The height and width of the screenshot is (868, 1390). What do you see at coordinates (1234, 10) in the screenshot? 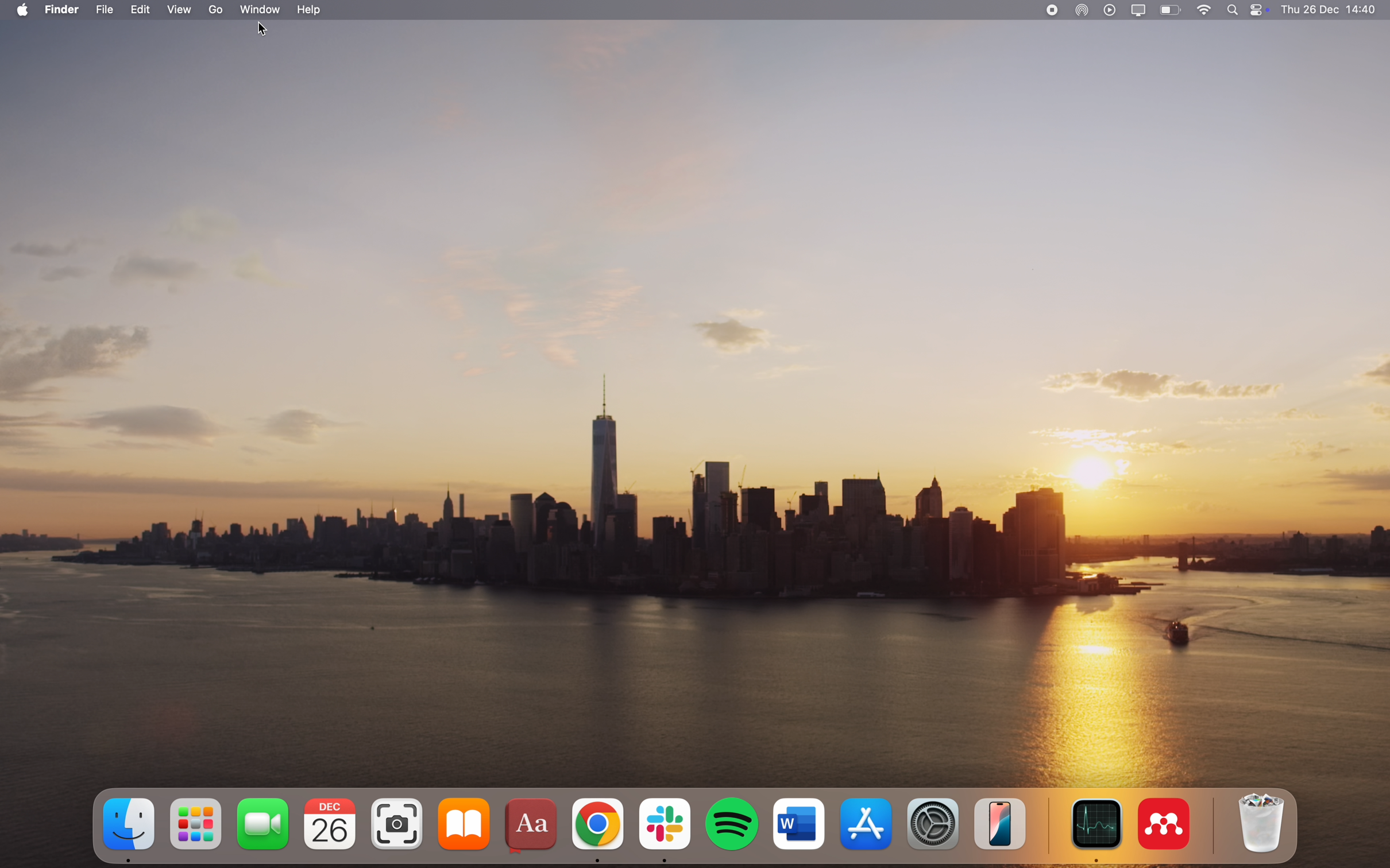
I see `Spotlight search` at bounding box center [1234, 10].